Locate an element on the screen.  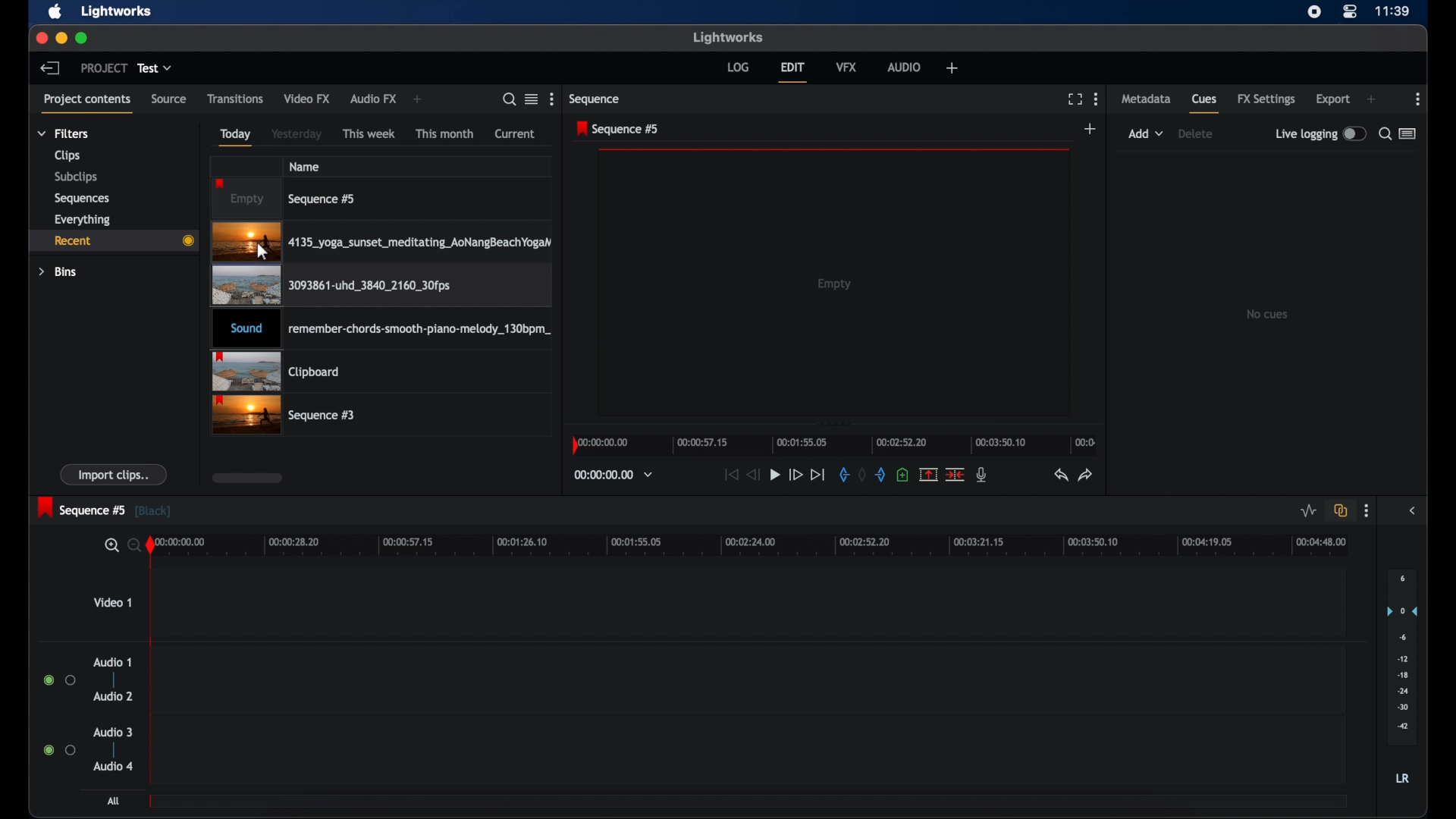
vfx is located at coordinates (847, 68).